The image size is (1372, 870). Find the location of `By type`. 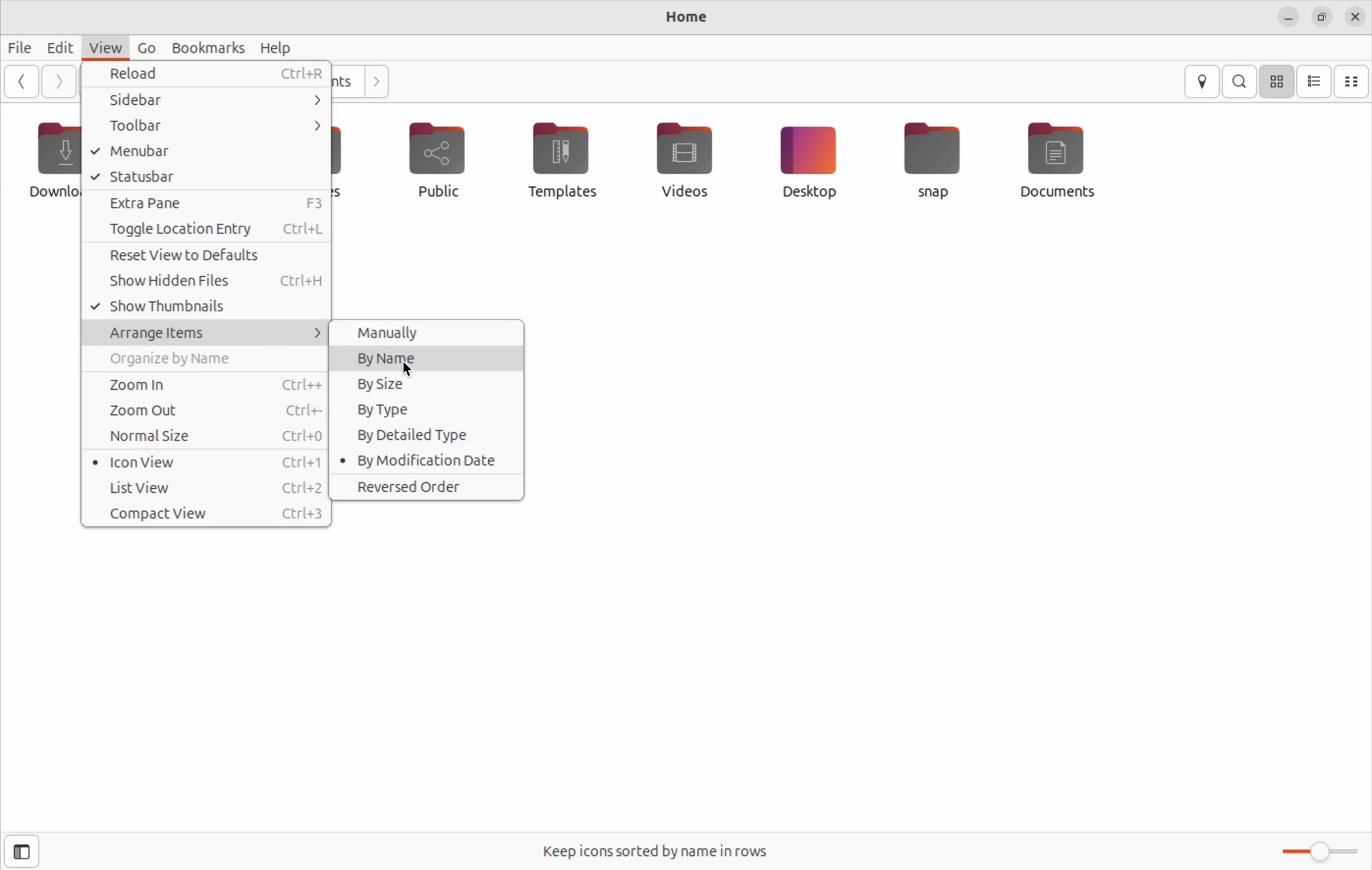

By type is located at coordinates (429, 410).